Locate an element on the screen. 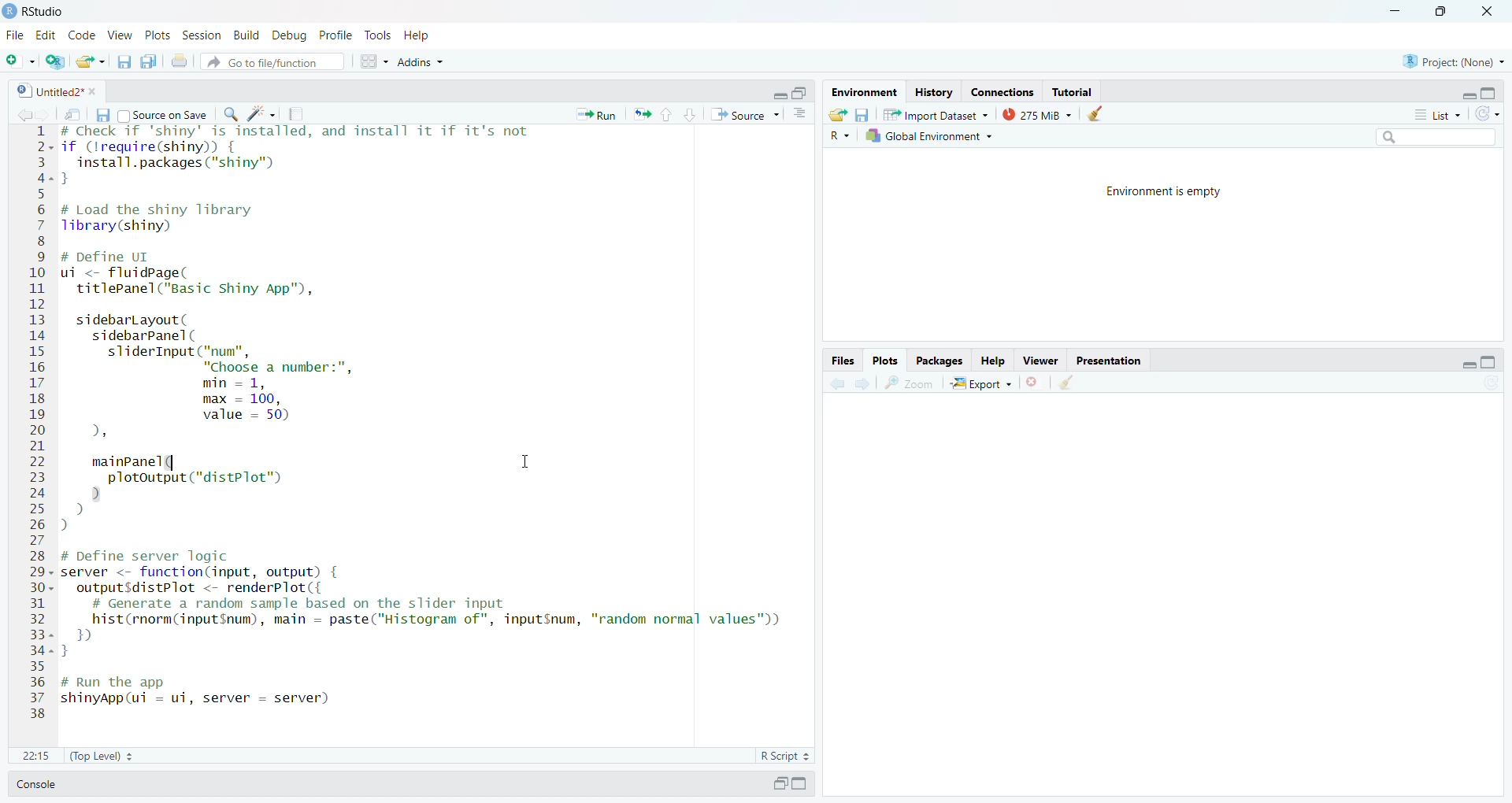 This screenshot has width=1512, height=803. resize is located at coordinates (801, 93).